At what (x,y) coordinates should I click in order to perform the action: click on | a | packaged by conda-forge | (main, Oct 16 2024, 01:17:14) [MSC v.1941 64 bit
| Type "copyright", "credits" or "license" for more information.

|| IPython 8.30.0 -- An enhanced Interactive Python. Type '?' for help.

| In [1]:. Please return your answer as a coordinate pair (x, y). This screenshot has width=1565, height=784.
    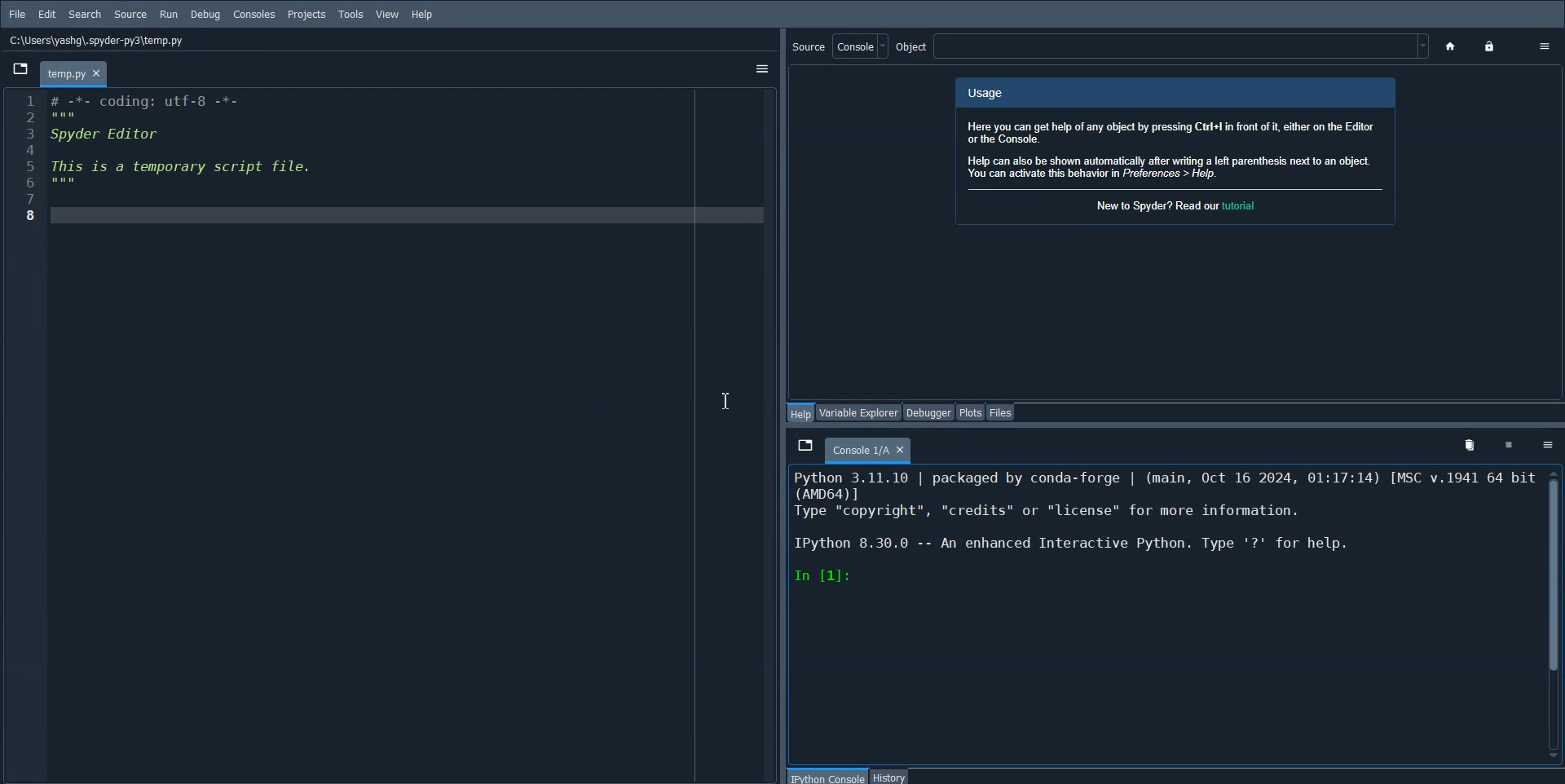
    Looking at the image, I should click on (1165, 530).